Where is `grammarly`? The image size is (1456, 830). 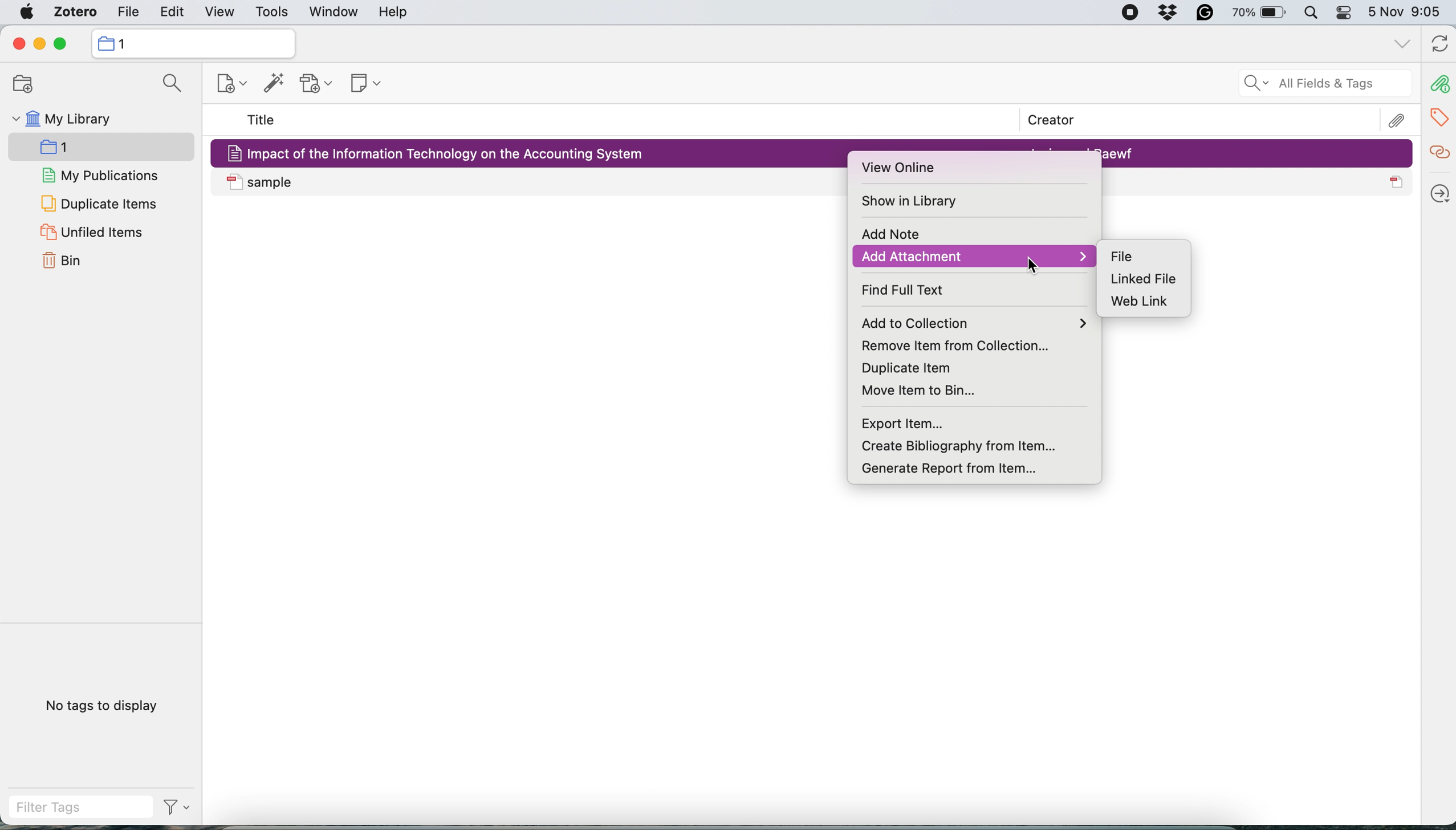 grammarly is located at coordinates (1202, 15).